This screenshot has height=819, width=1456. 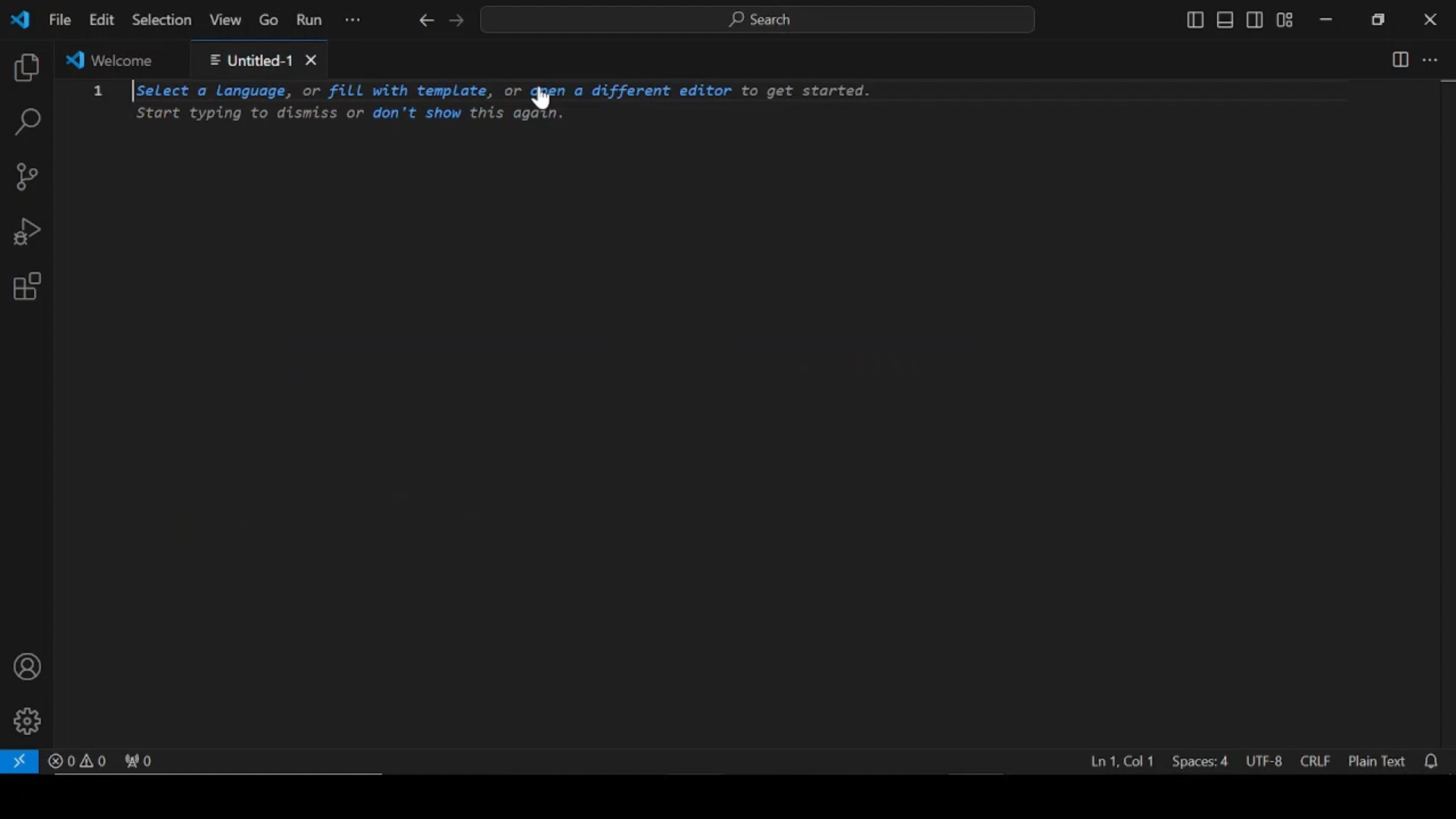 I want to click on accounts, so click(x=27, y=668).